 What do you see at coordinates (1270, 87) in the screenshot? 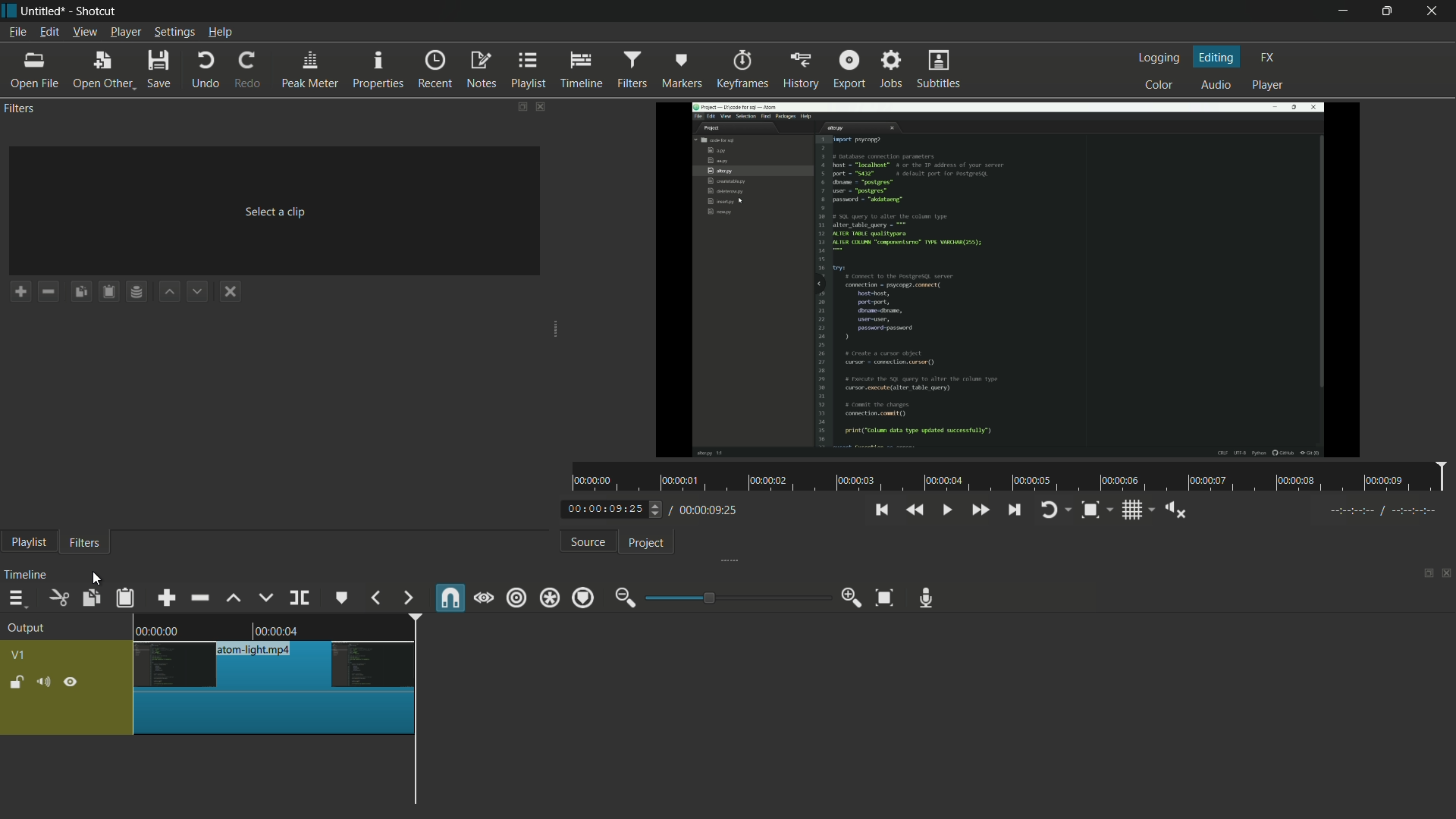
I see `player` at bounding box center [1270, 87].